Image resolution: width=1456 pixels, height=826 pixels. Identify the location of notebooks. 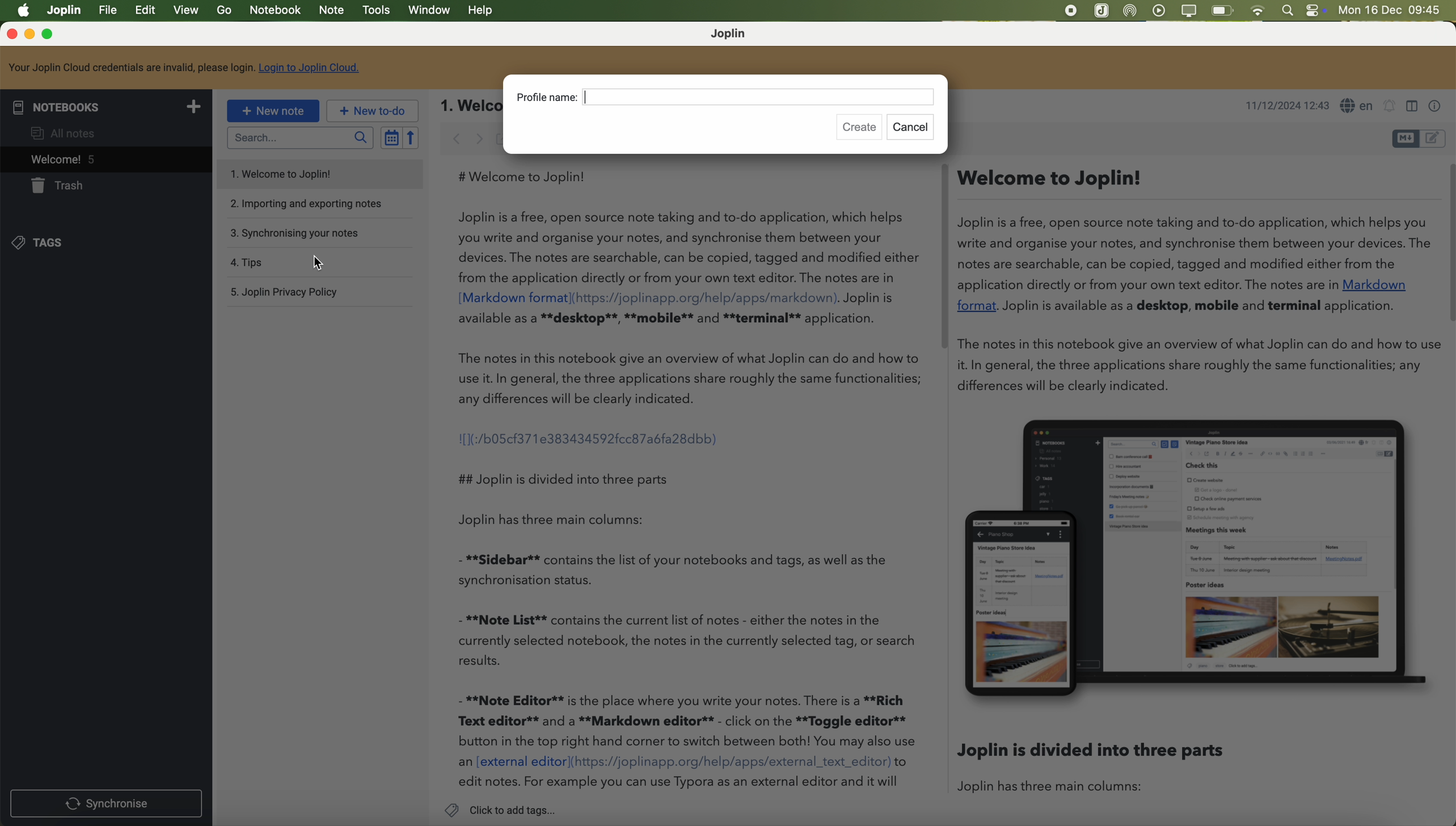
(105, 106).